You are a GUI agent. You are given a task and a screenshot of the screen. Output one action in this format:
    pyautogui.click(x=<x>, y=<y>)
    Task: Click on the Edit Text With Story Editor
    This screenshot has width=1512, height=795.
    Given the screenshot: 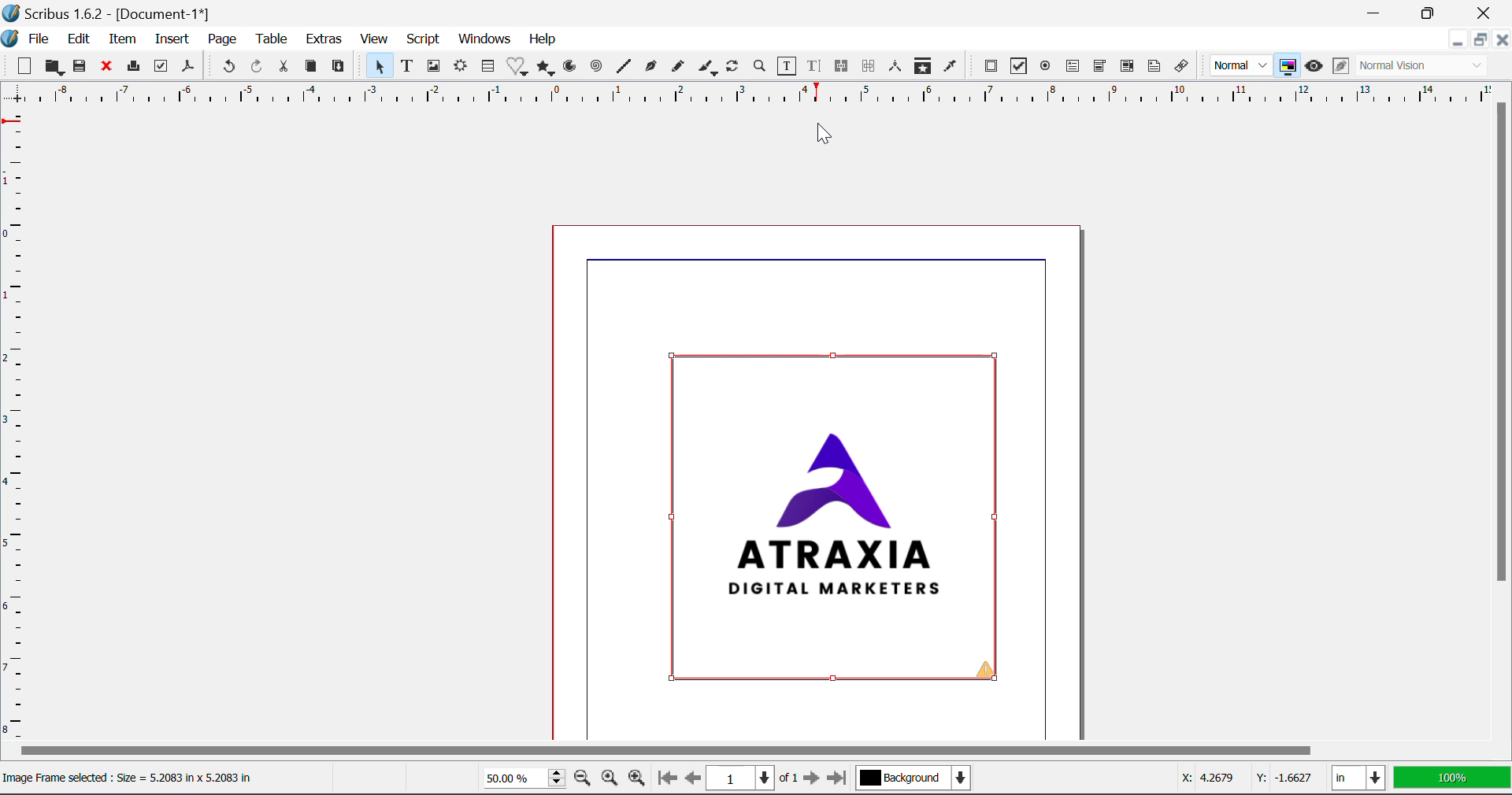 What is the action you would take?
    pyautogui.click(x=816, y=67)
    